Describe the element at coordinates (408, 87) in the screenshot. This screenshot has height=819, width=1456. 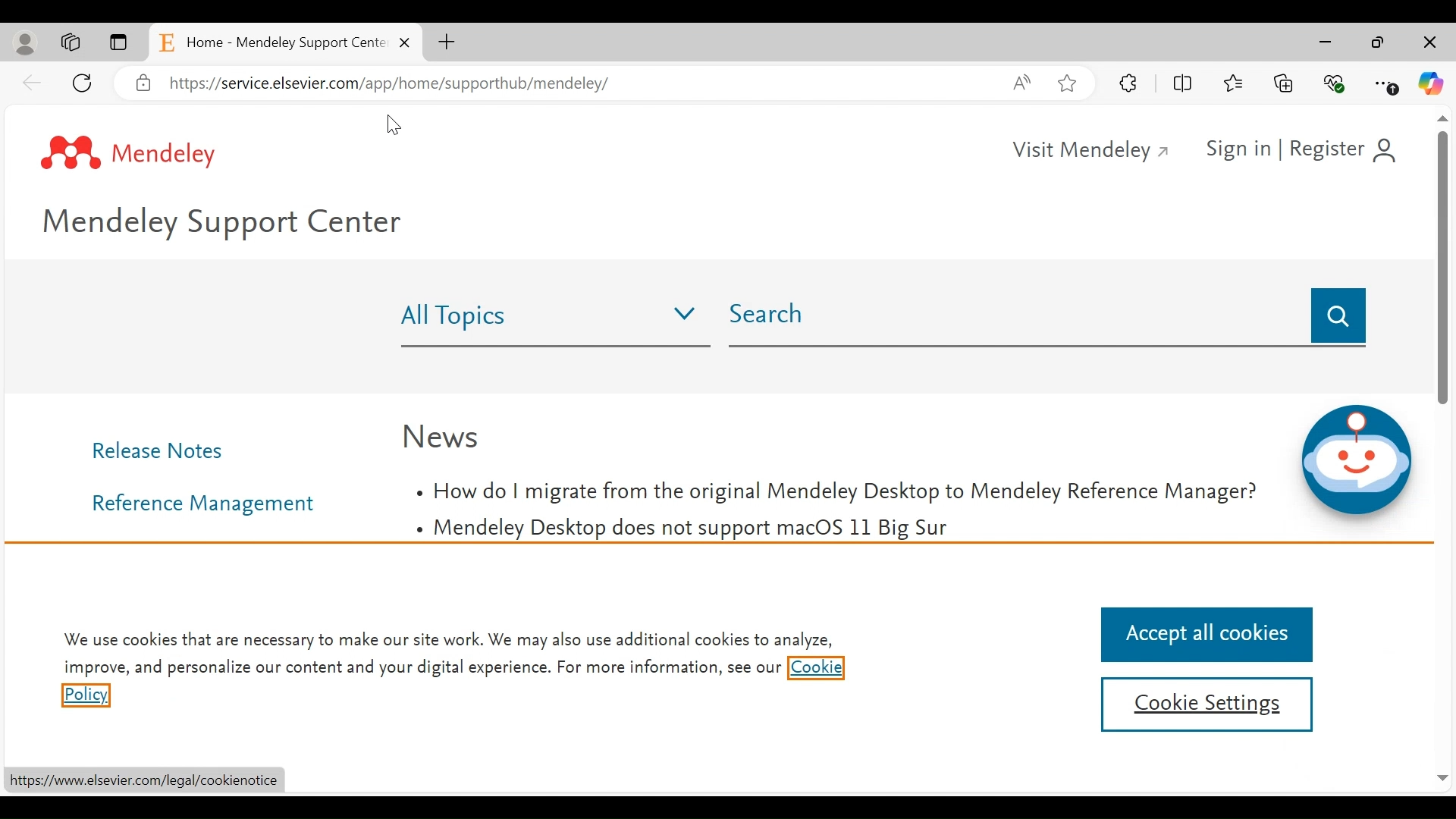
I see `ttps://service.elsevier.com/app/home/supporthub/mendeley/` at that location.